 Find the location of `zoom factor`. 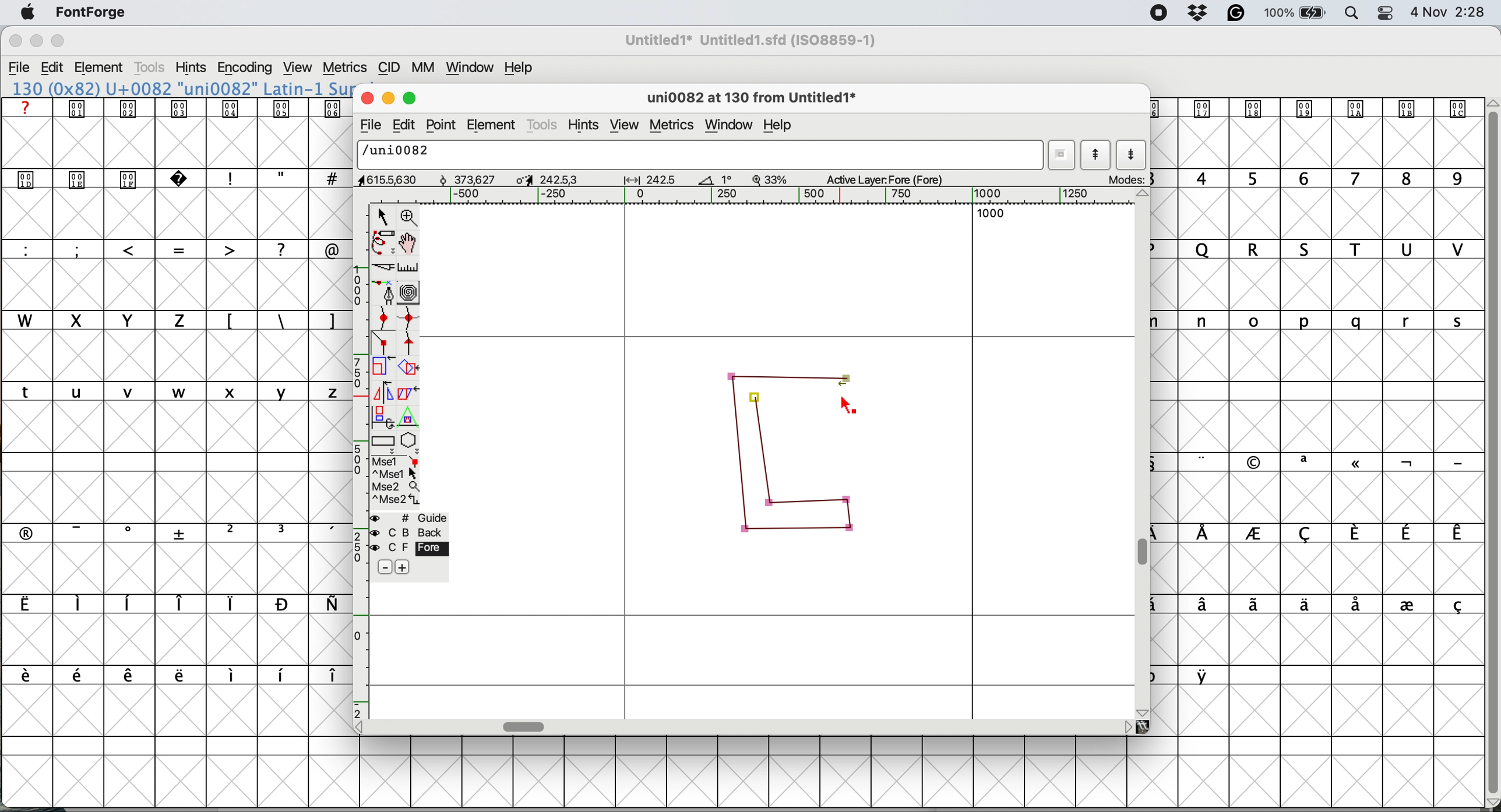

zoom factor is located at coordinates (770, 179).